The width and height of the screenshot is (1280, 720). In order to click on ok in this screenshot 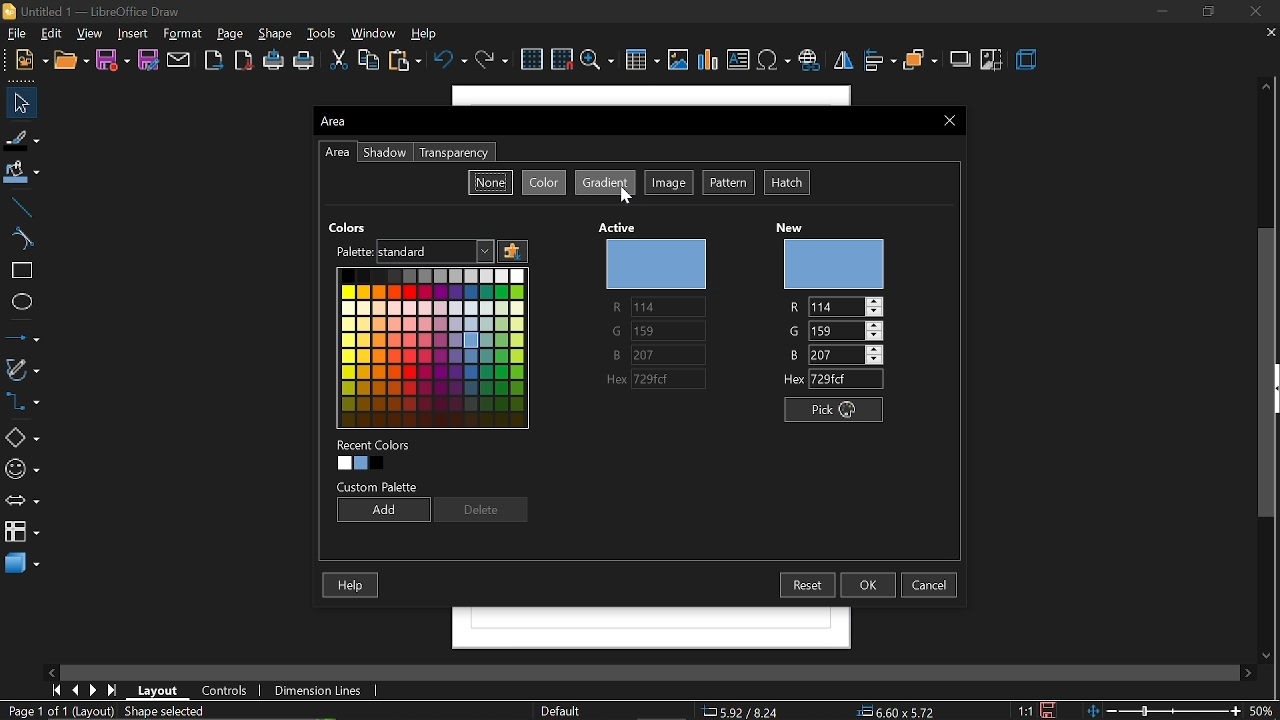, I will do `click(870, 585)`.